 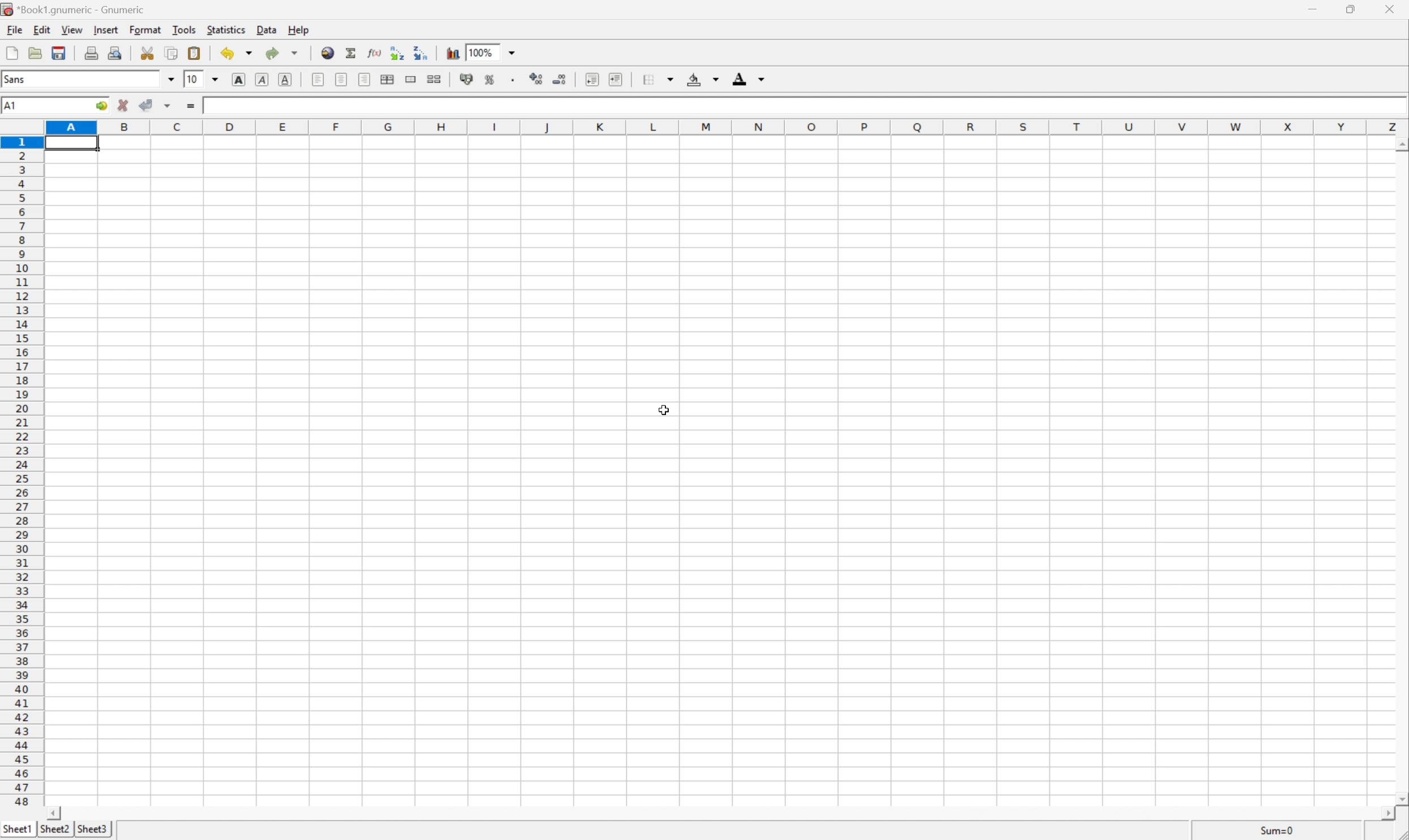 What do you see at coordinates (172, 53) in the screenshot?
I see `Copy selection` at bounding box center [172, 53].